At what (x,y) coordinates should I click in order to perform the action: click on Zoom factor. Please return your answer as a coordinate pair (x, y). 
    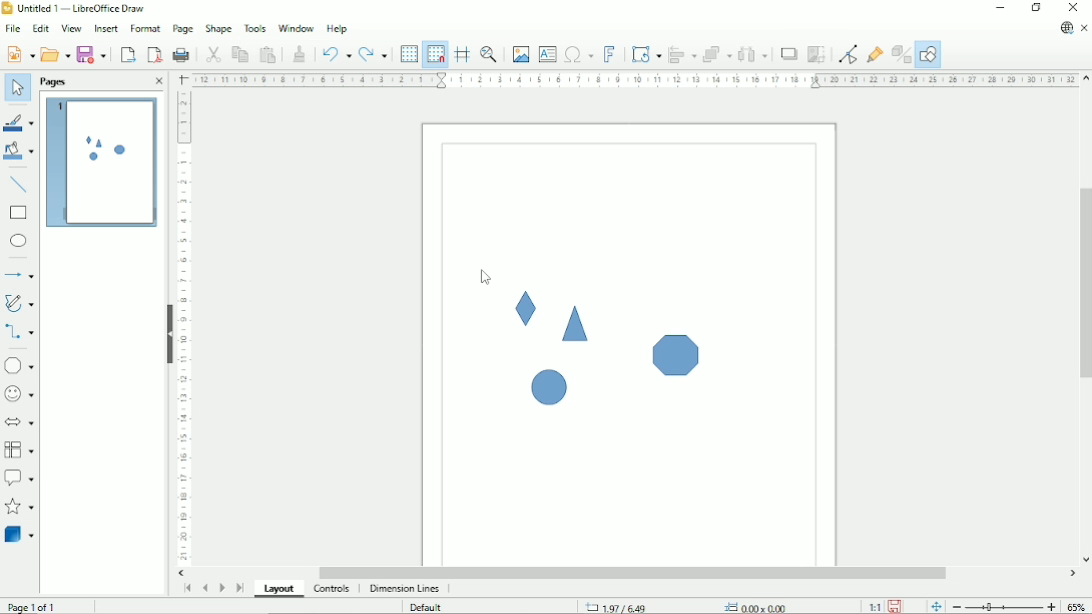
    Looking at the image, I should click on (1078, 606).